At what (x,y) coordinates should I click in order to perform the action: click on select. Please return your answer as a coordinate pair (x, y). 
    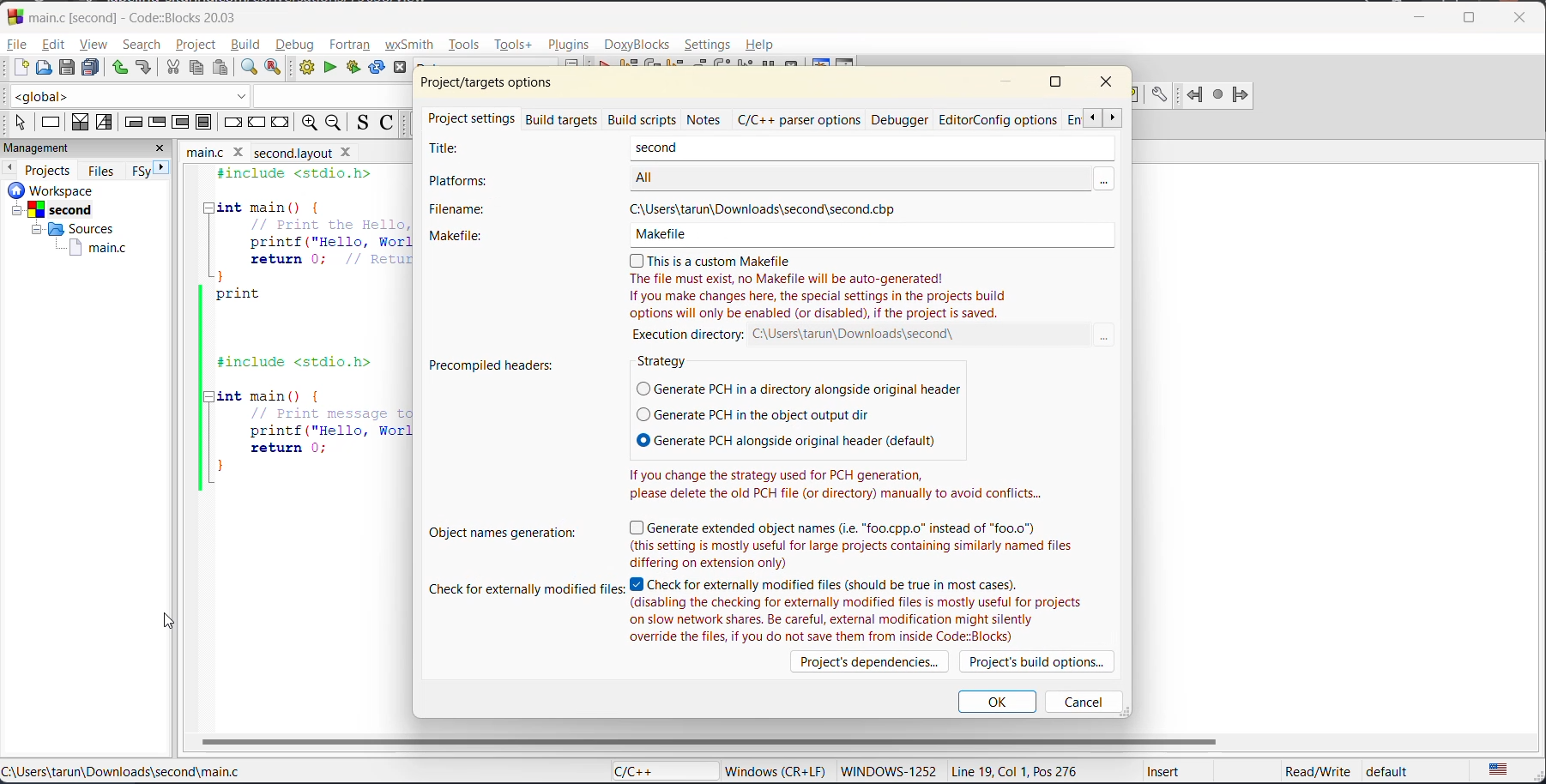
    Looking at the image, I should click on (21, 124).